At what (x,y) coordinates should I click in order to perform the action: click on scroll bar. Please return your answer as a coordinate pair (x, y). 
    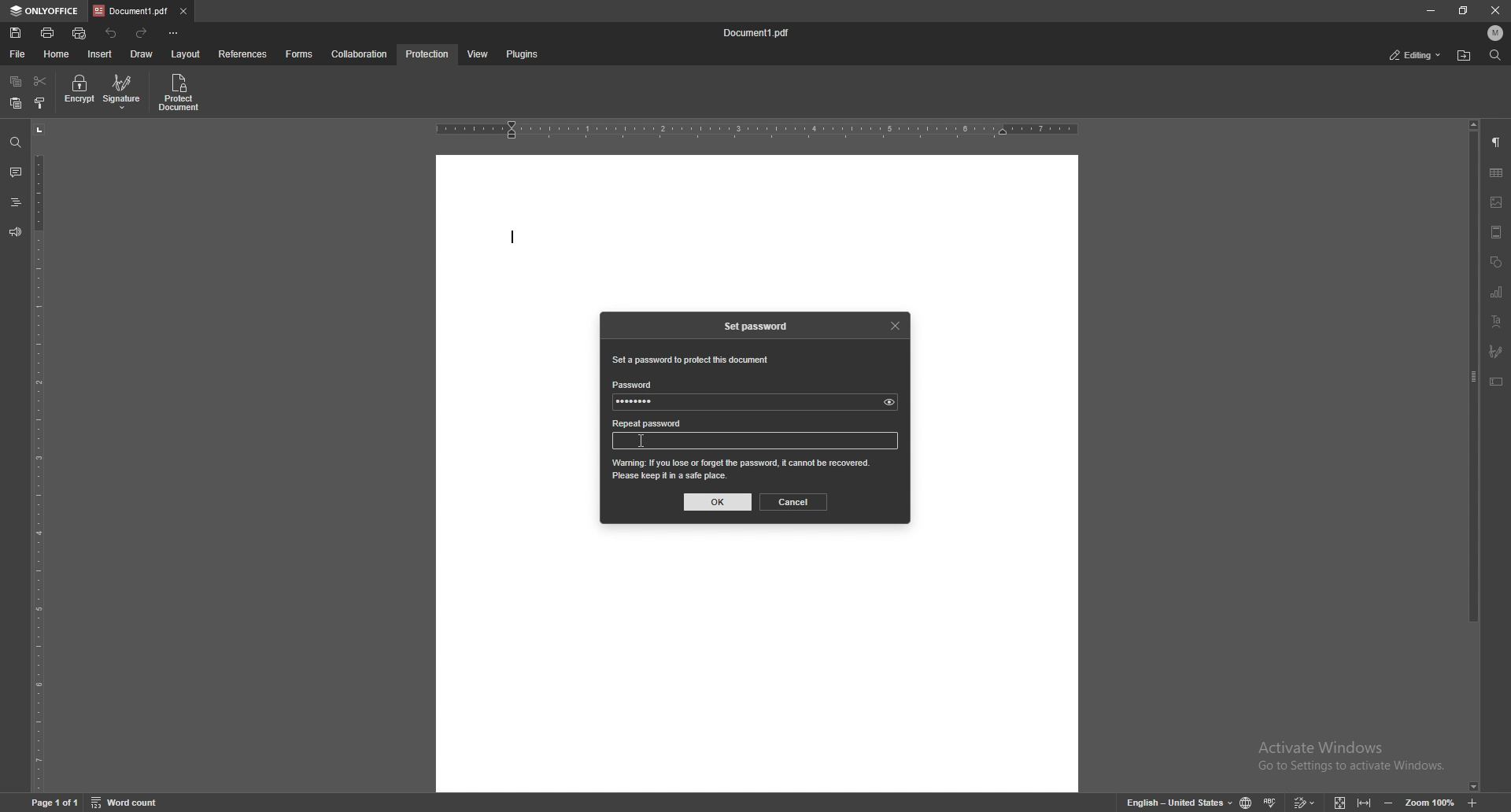
    Looking at the image, I should click on (1472, 456).